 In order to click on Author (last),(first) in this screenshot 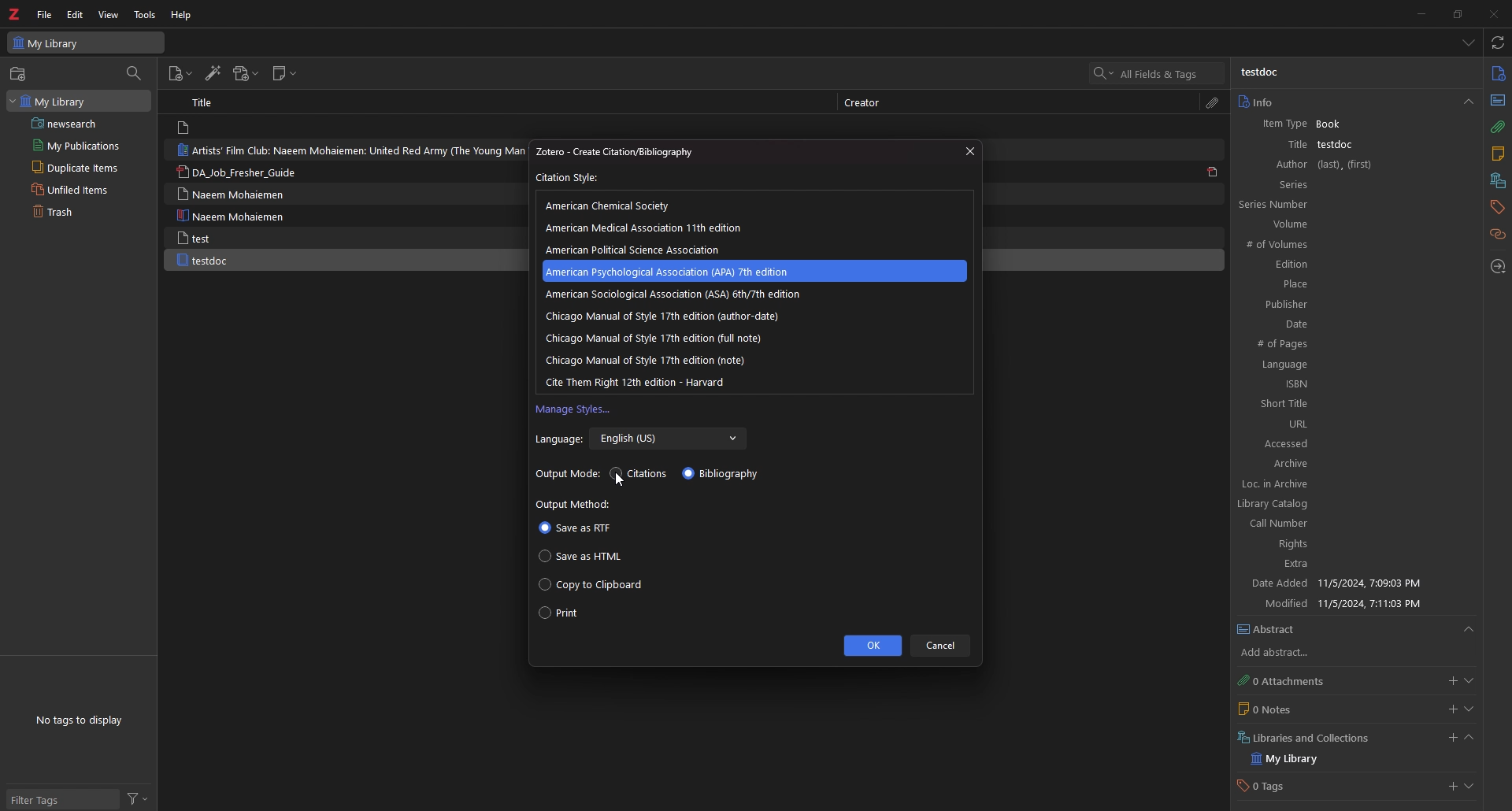, I will do `click(1353, 165)`.